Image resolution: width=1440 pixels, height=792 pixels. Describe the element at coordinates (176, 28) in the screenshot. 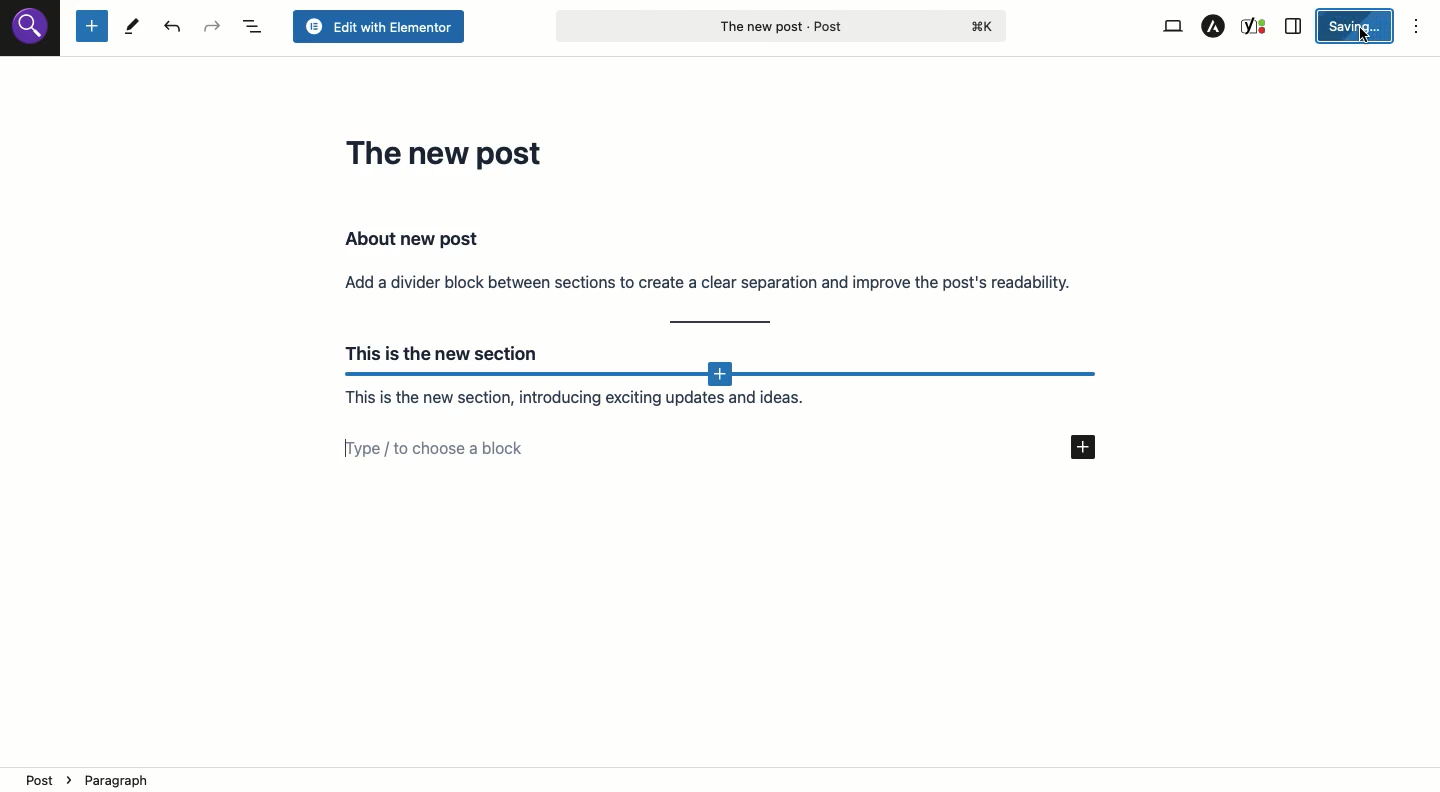

I see `Undo` at that location.